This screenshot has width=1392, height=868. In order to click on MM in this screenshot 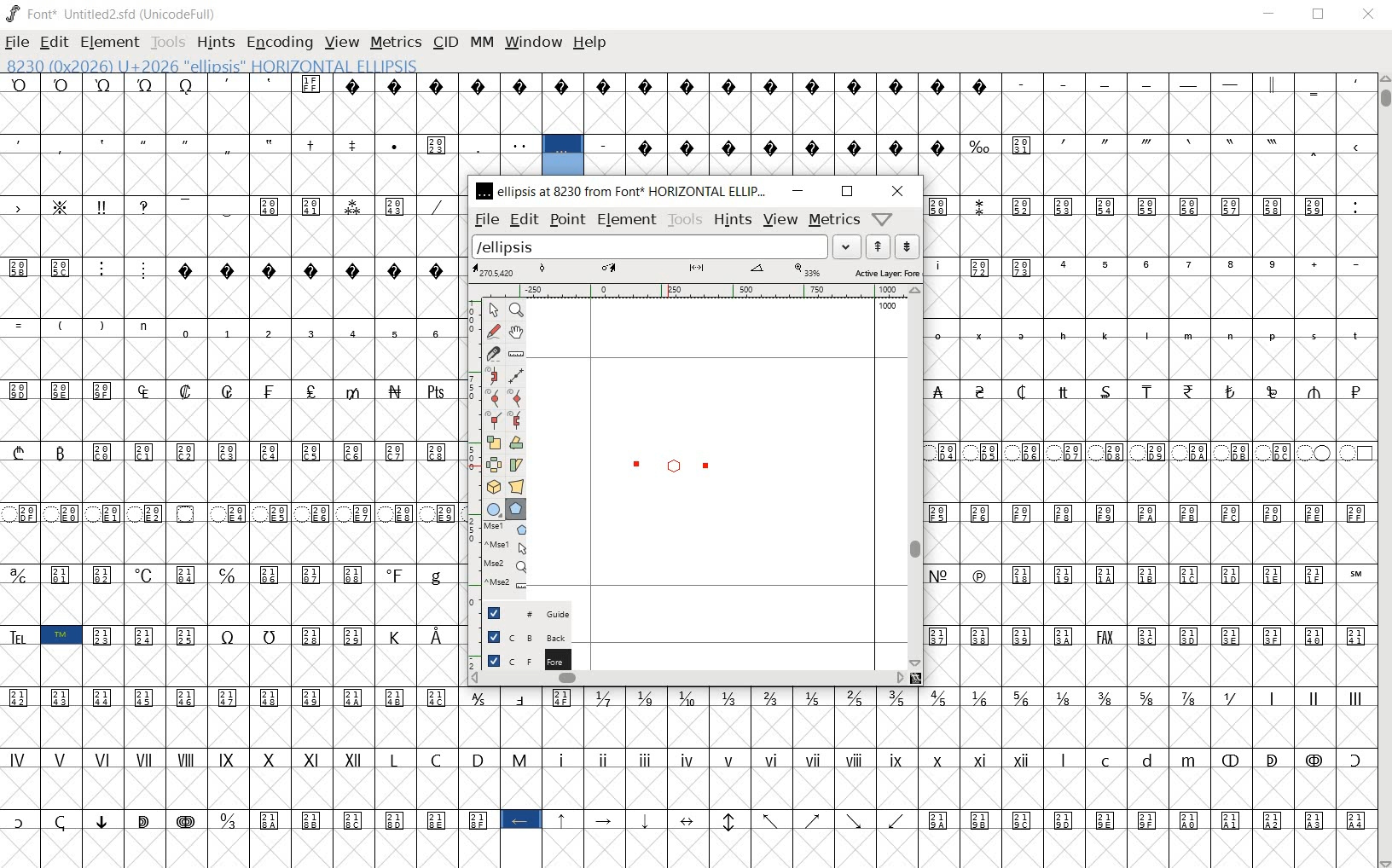, I will do `click(481, 40)`.